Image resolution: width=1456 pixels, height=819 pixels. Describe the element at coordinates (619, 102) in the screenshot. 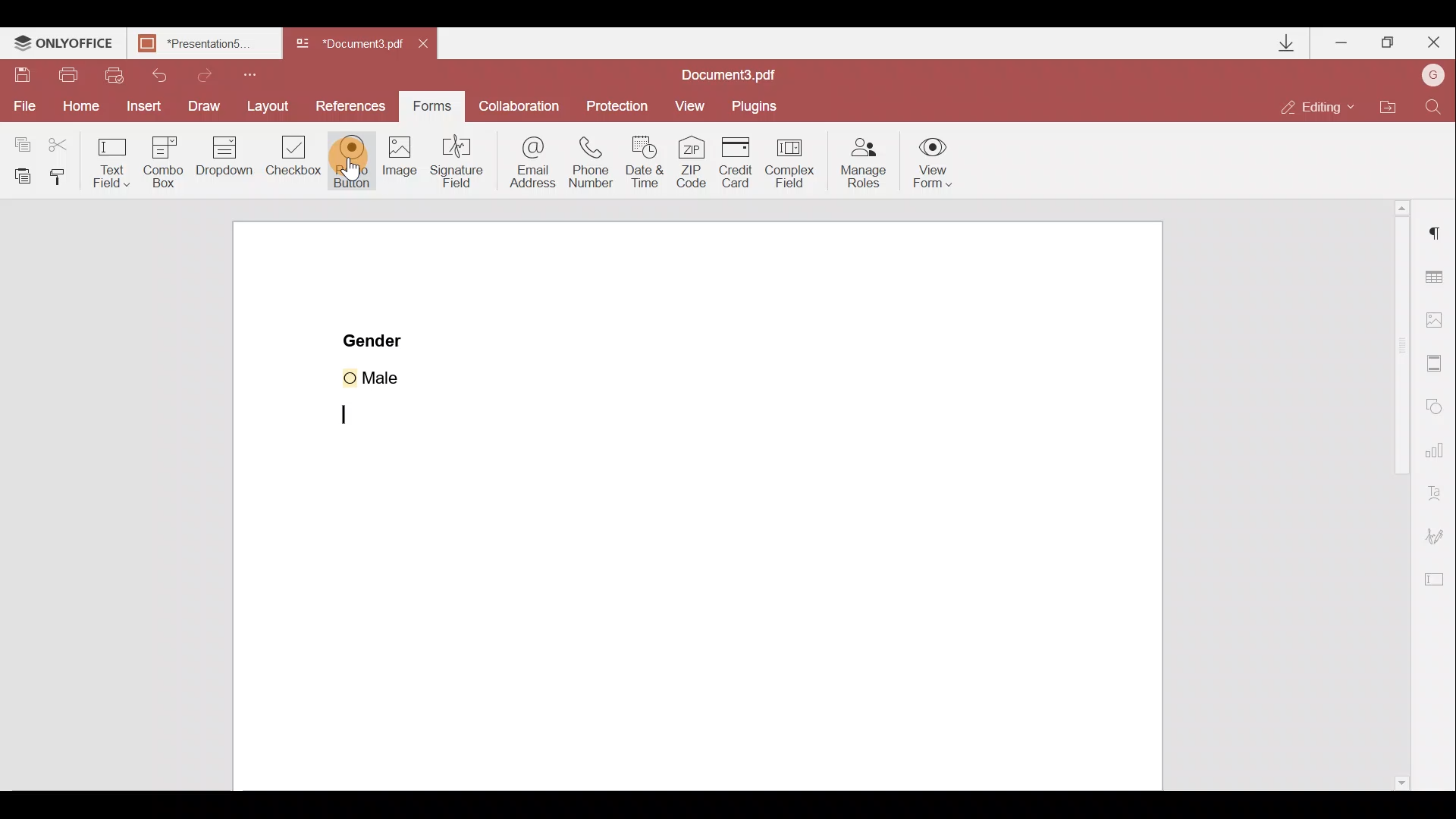

I see `Protection` at that location.